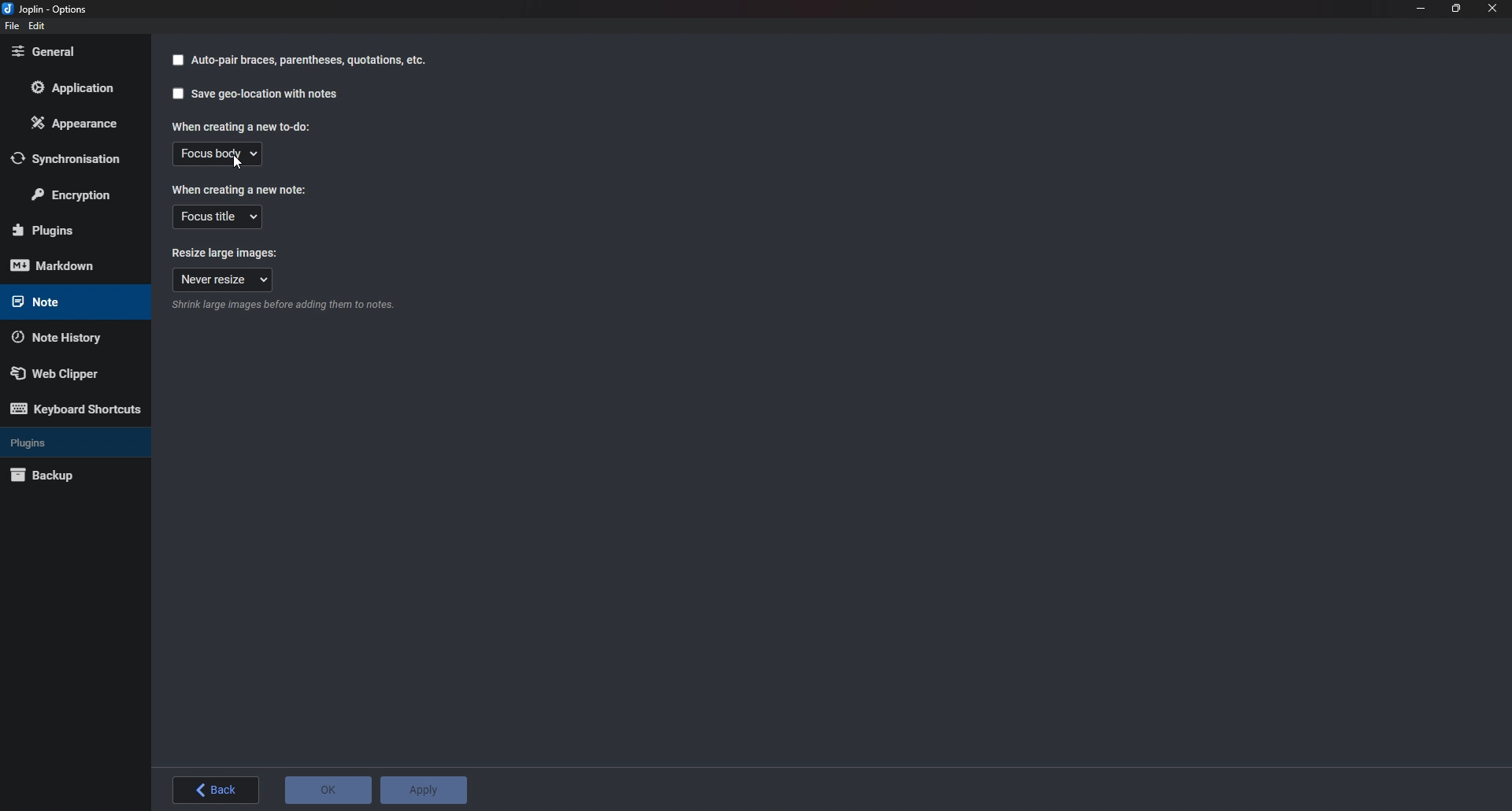  What do you see at coordinates (241, 189) in the screenshot?
I see `When creating a new note` at bounding box center [241, 189].